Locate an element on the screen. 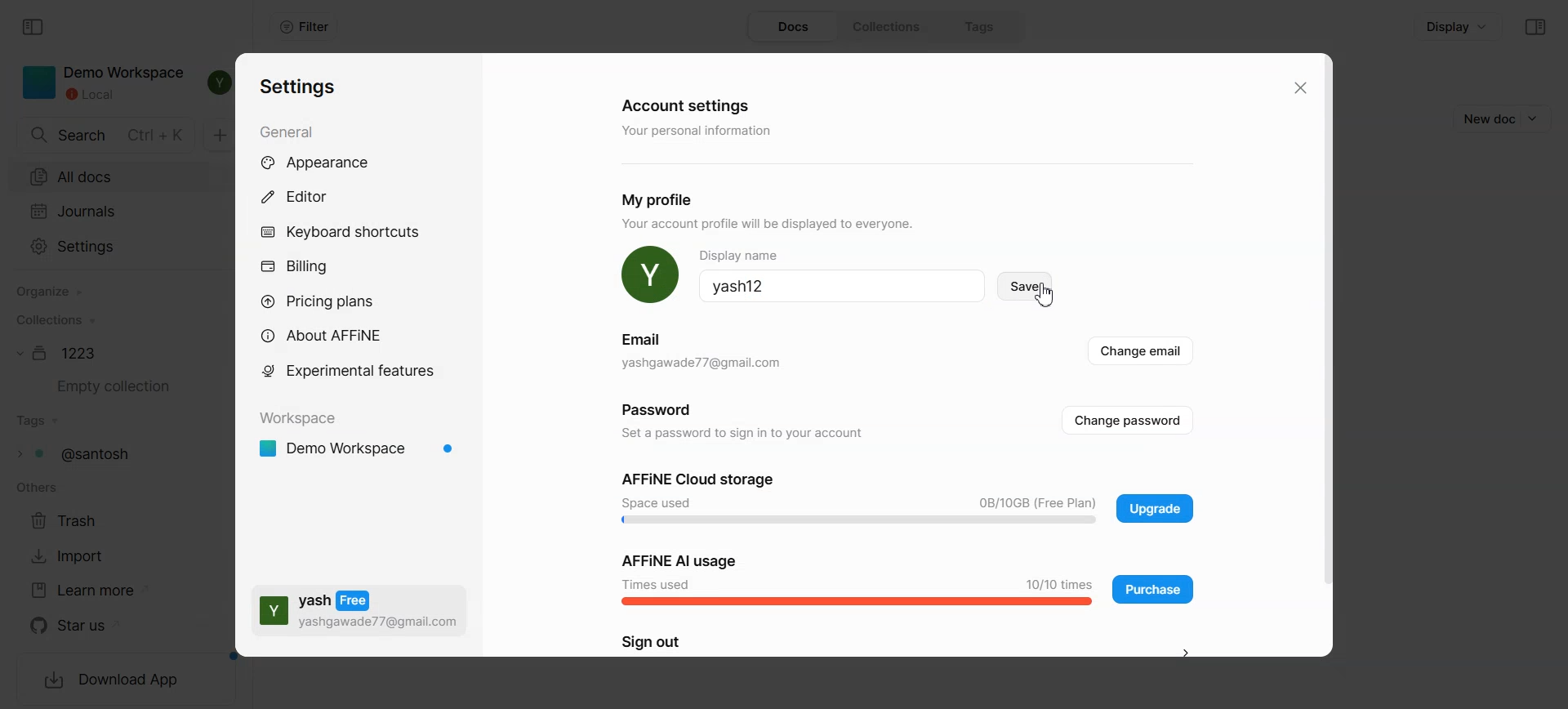  New doc is located at coordinates (1484, 118).